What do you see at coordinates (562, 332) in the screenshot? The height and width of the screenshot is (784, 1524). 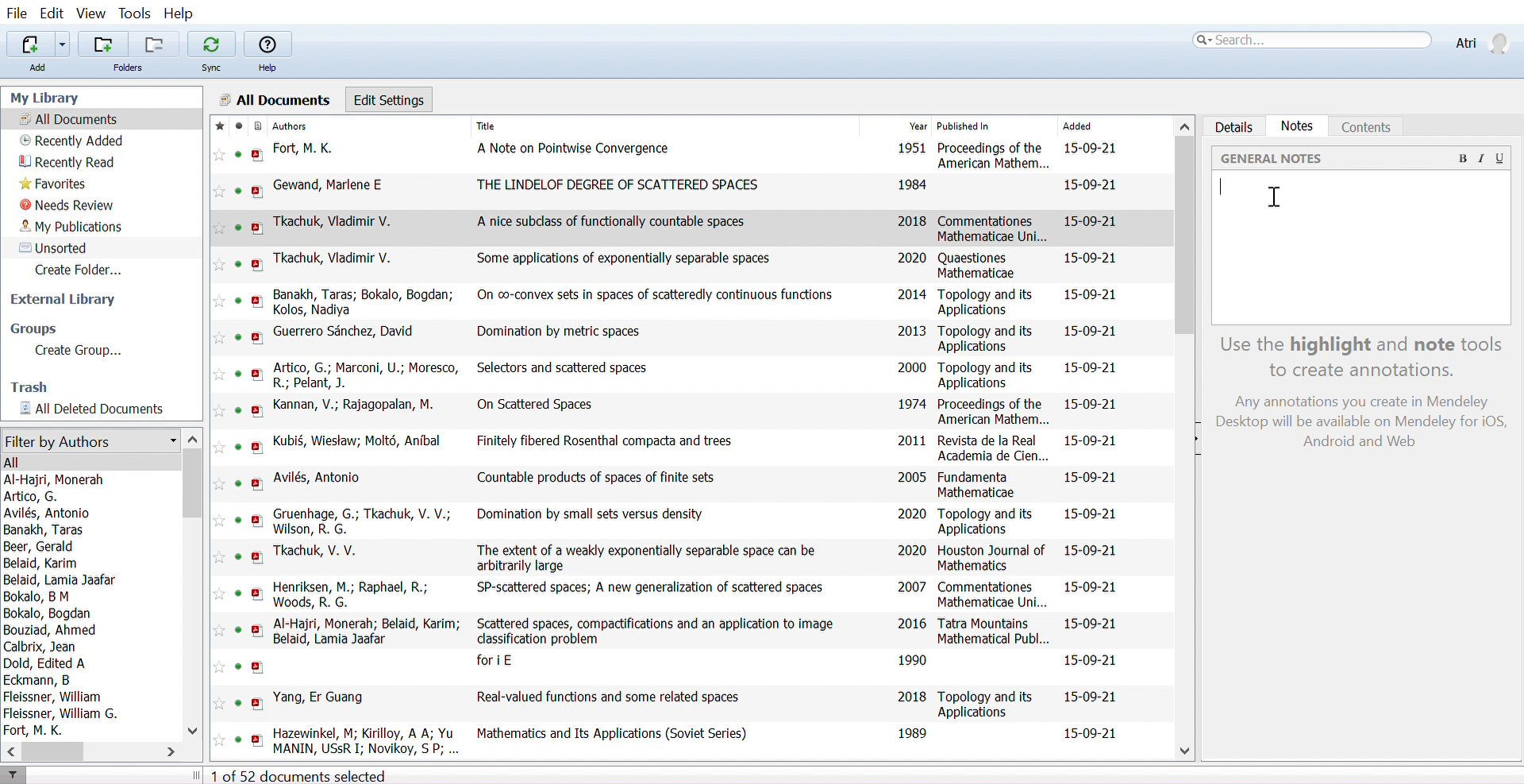 I see `Domination by metric spaces` at bounding box center [562, 332].